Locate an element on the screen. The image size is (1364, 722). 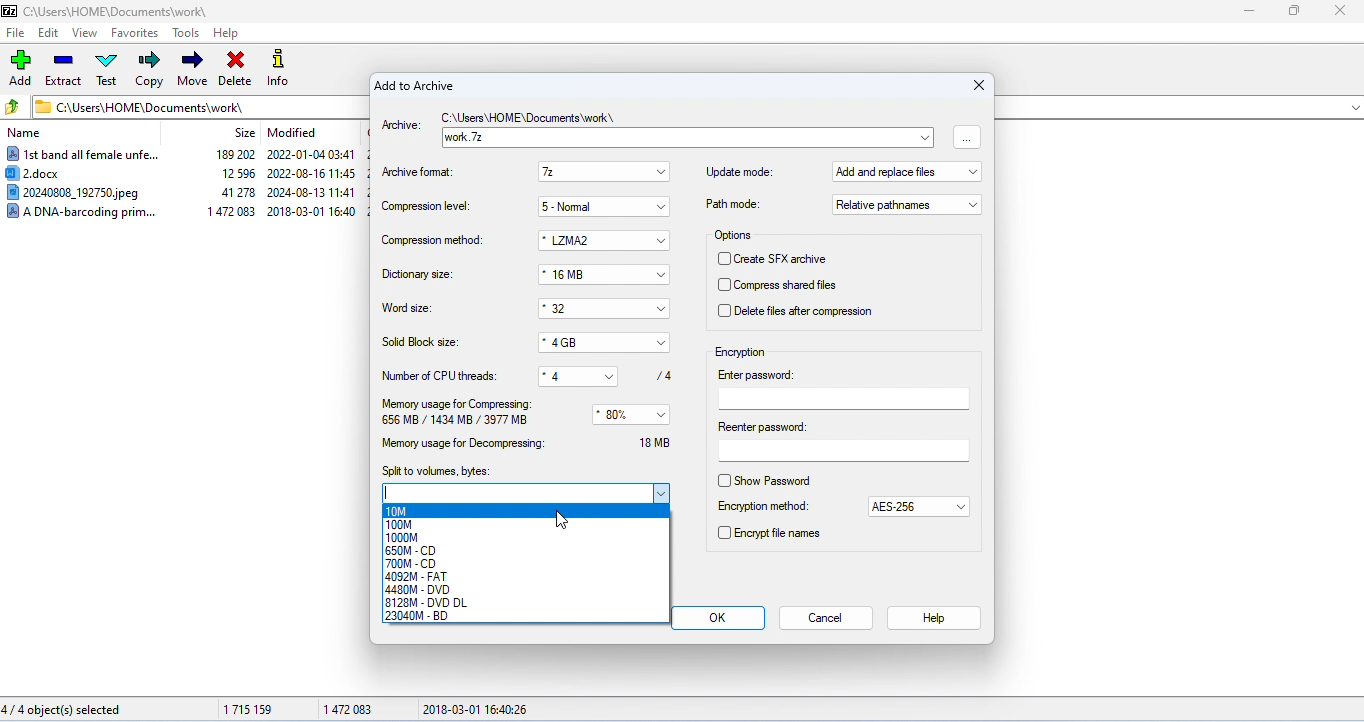
AES-256 is located at coordinates (907, 508).